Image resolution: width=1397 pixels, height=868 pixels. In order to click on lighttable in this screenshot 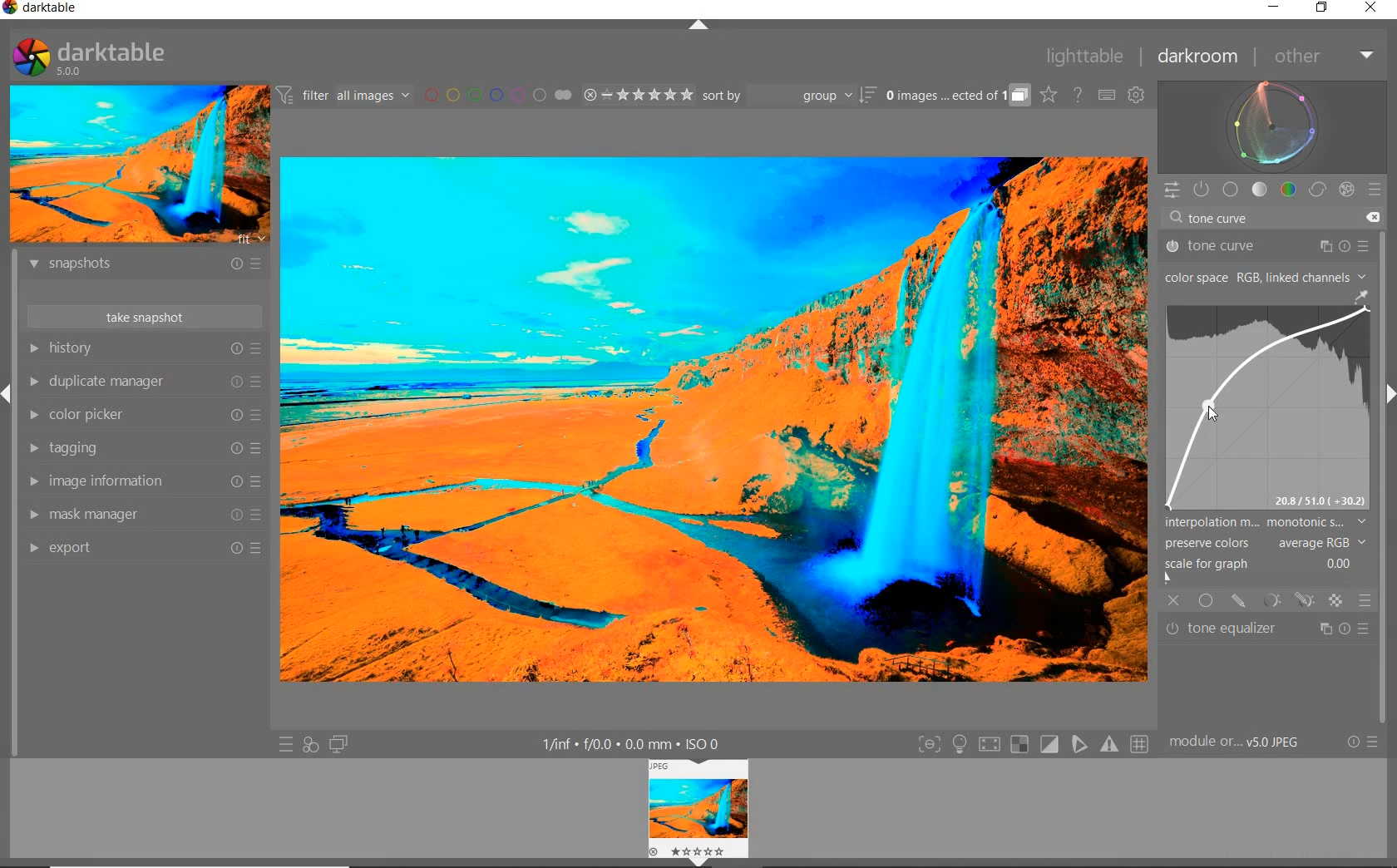, I will do `click(1089, 57)`.